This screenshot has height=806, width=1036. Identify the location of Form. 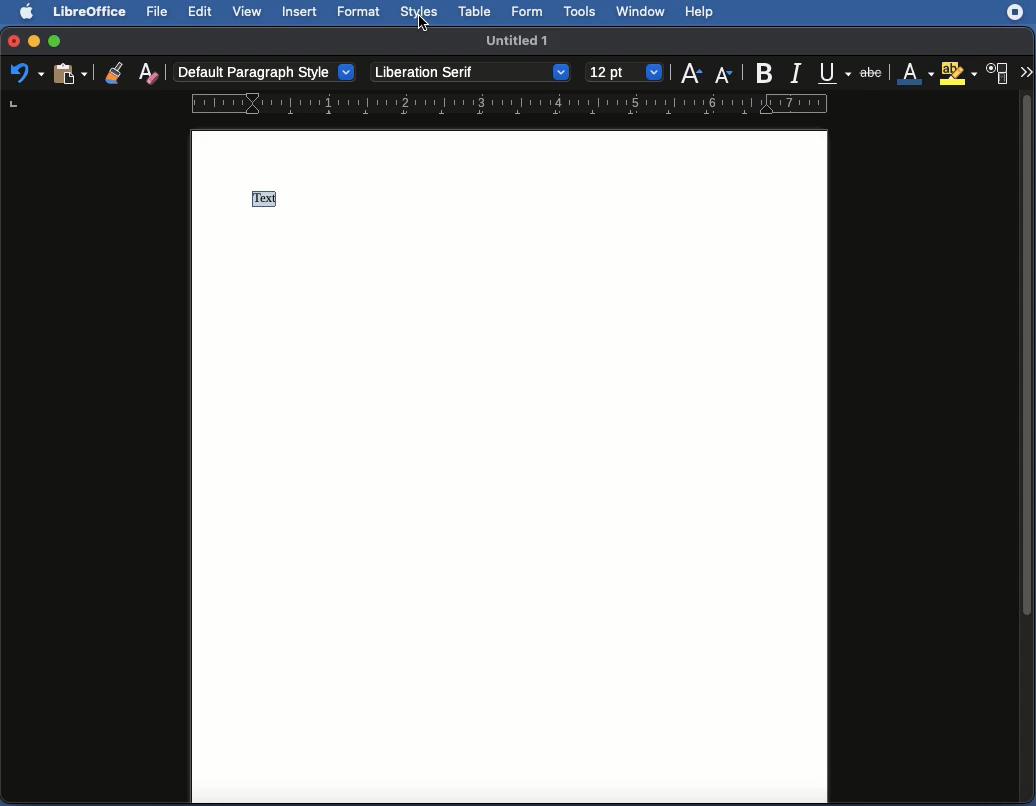
(530, 12).